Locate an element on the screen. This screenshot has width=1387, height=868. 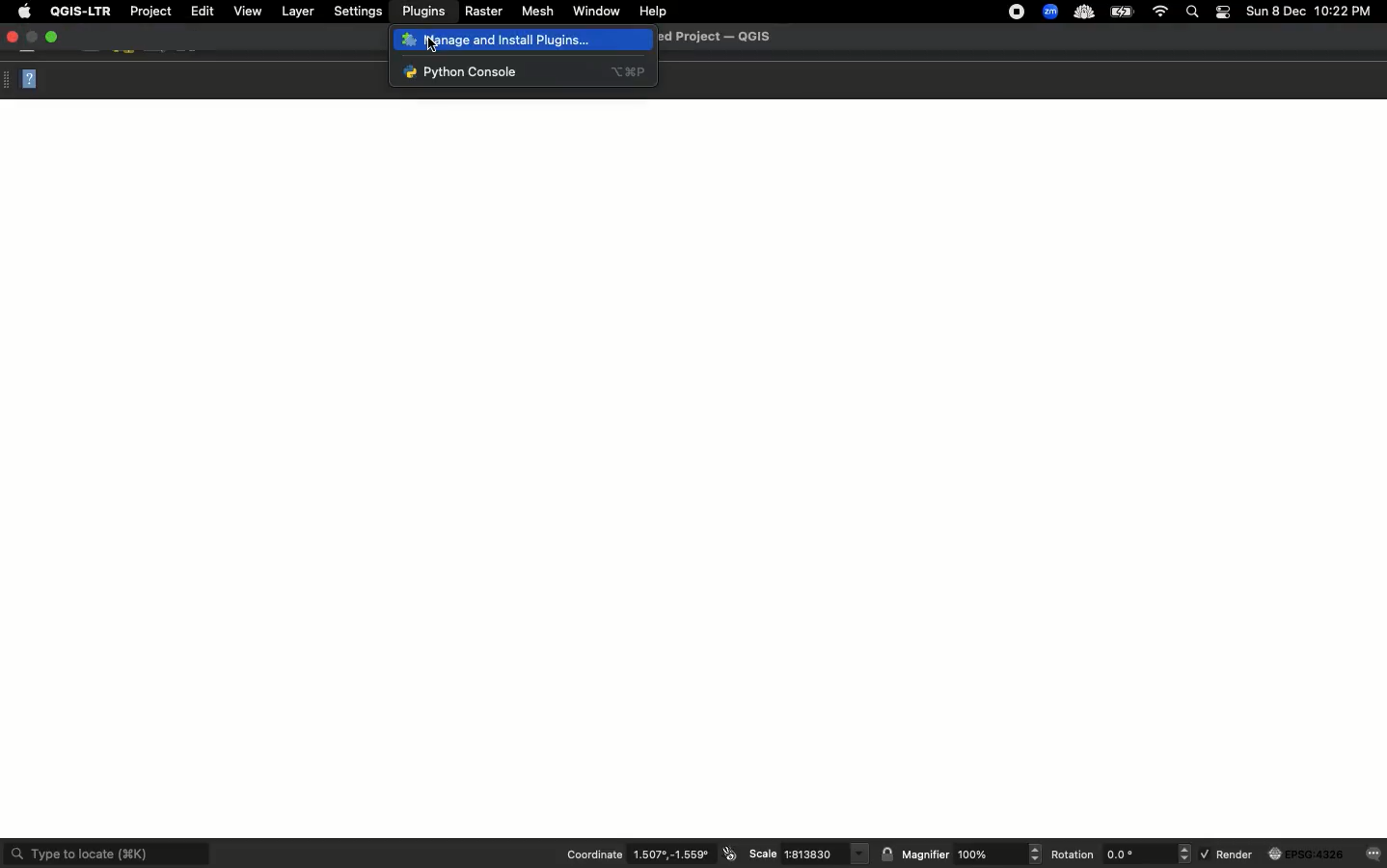
Notification is located at coordinates (1225, 11).